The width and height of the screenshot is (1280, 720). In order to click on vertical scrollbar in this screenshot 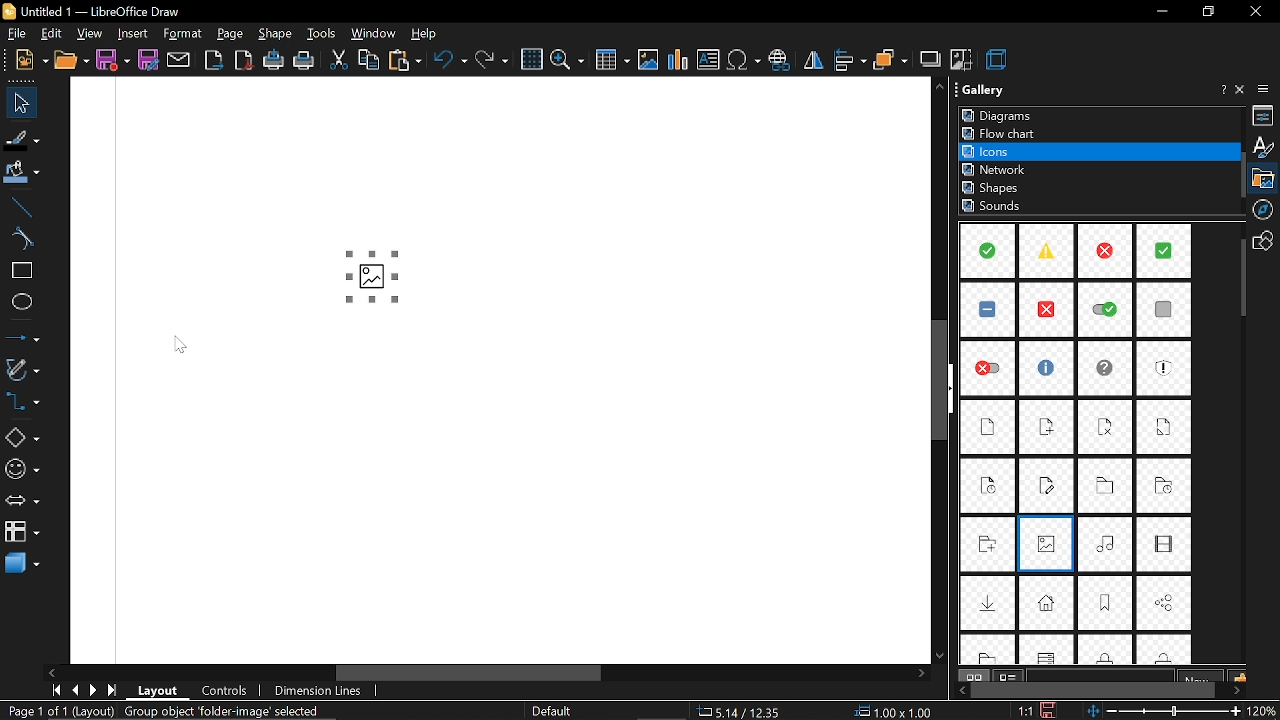, I will do `click(944, 384)`.